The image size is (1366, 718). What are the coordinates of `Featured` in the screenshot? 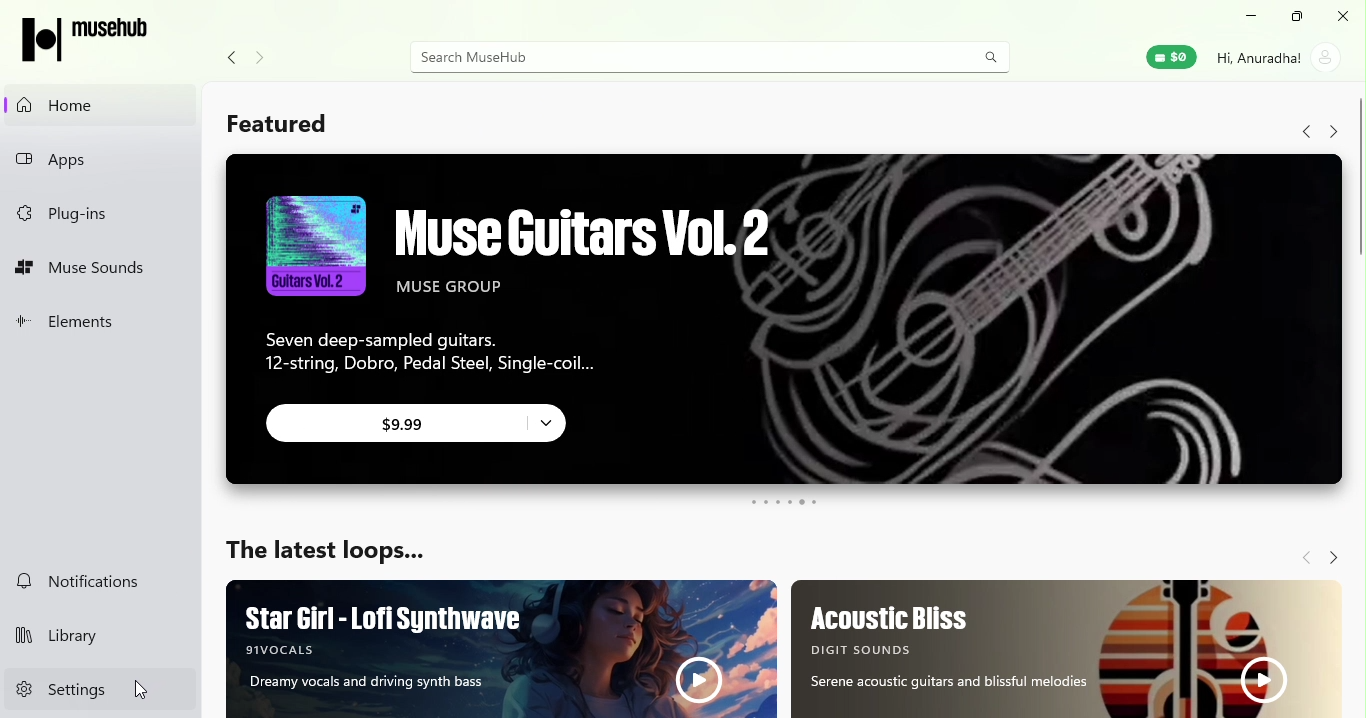 It's located at (276, 123).